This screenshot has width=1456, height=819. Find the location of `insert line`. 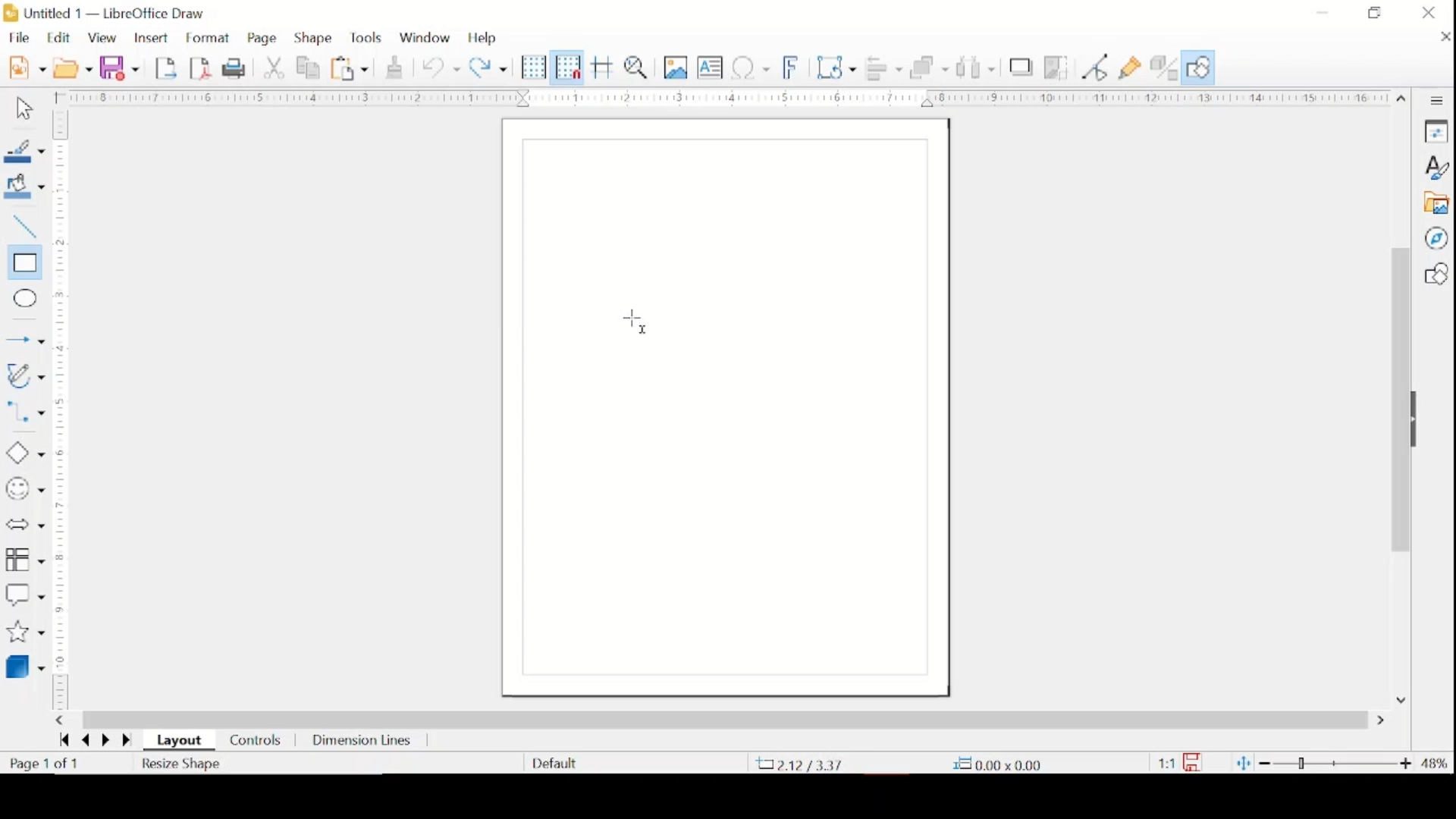

insert line is located at coordinates (23, 227).